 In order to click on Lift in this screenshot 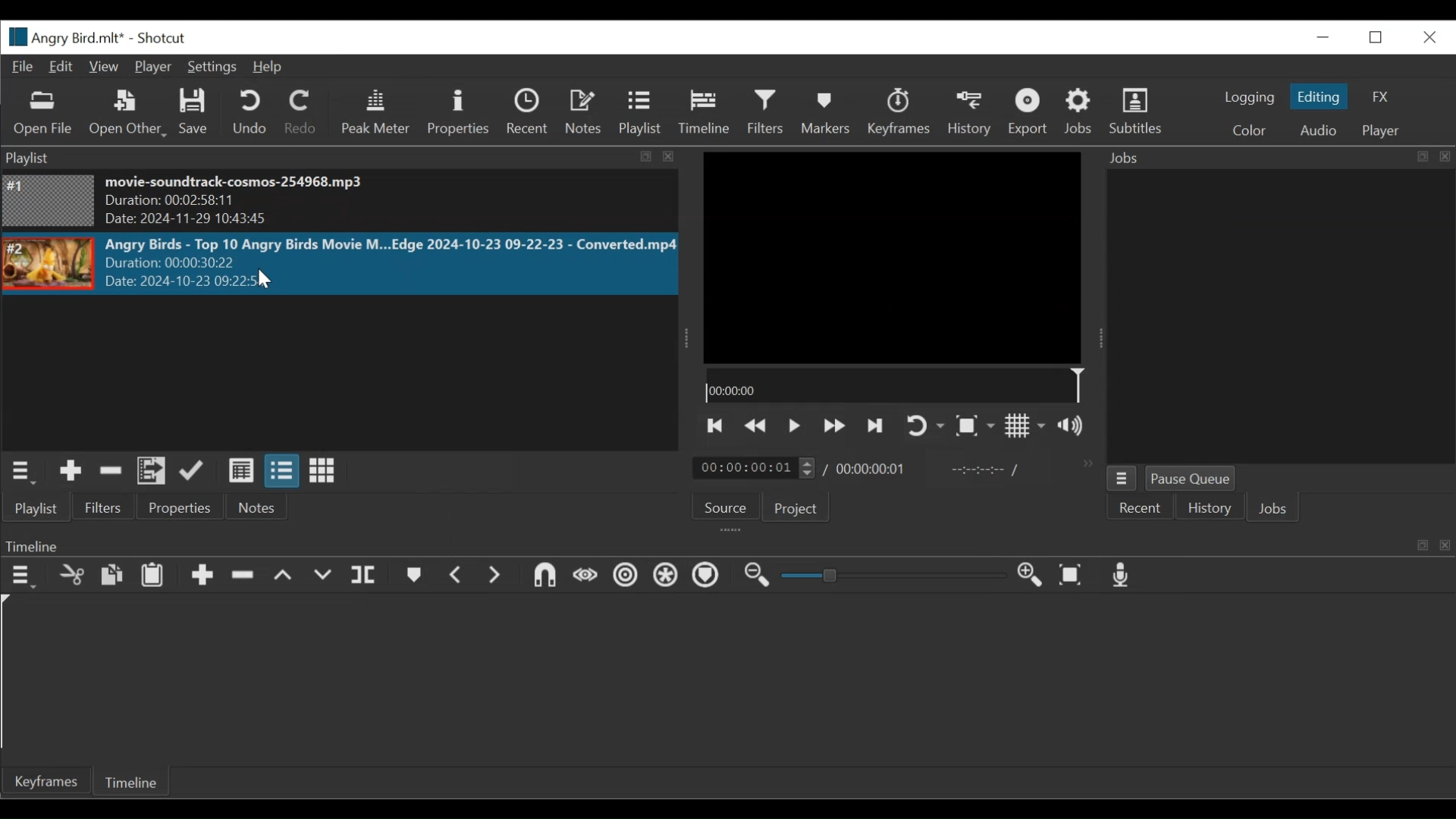, I will do `click(285, 576)`.